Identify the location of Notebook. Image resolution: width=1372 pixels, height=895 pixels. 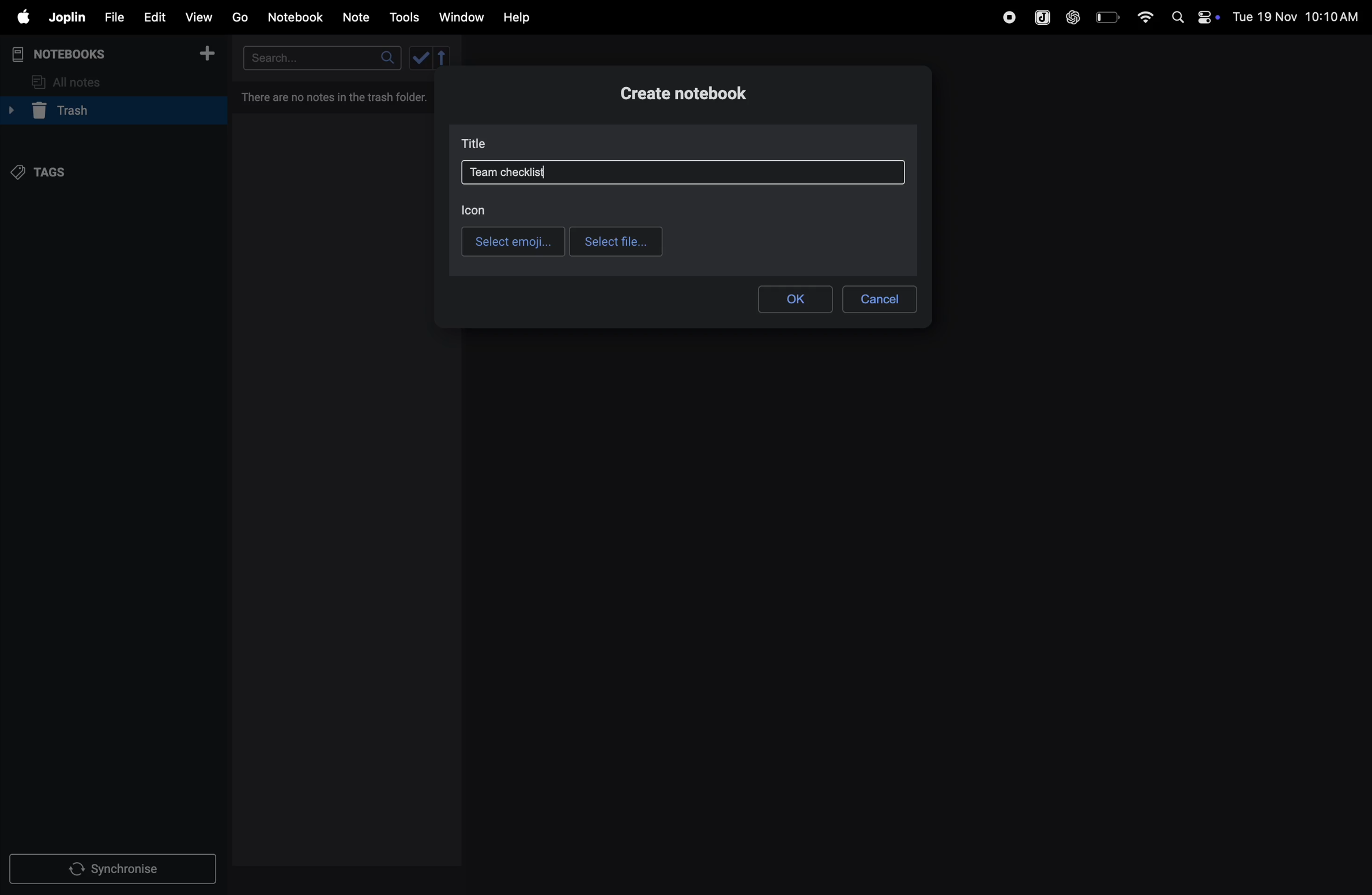
(299, 17).